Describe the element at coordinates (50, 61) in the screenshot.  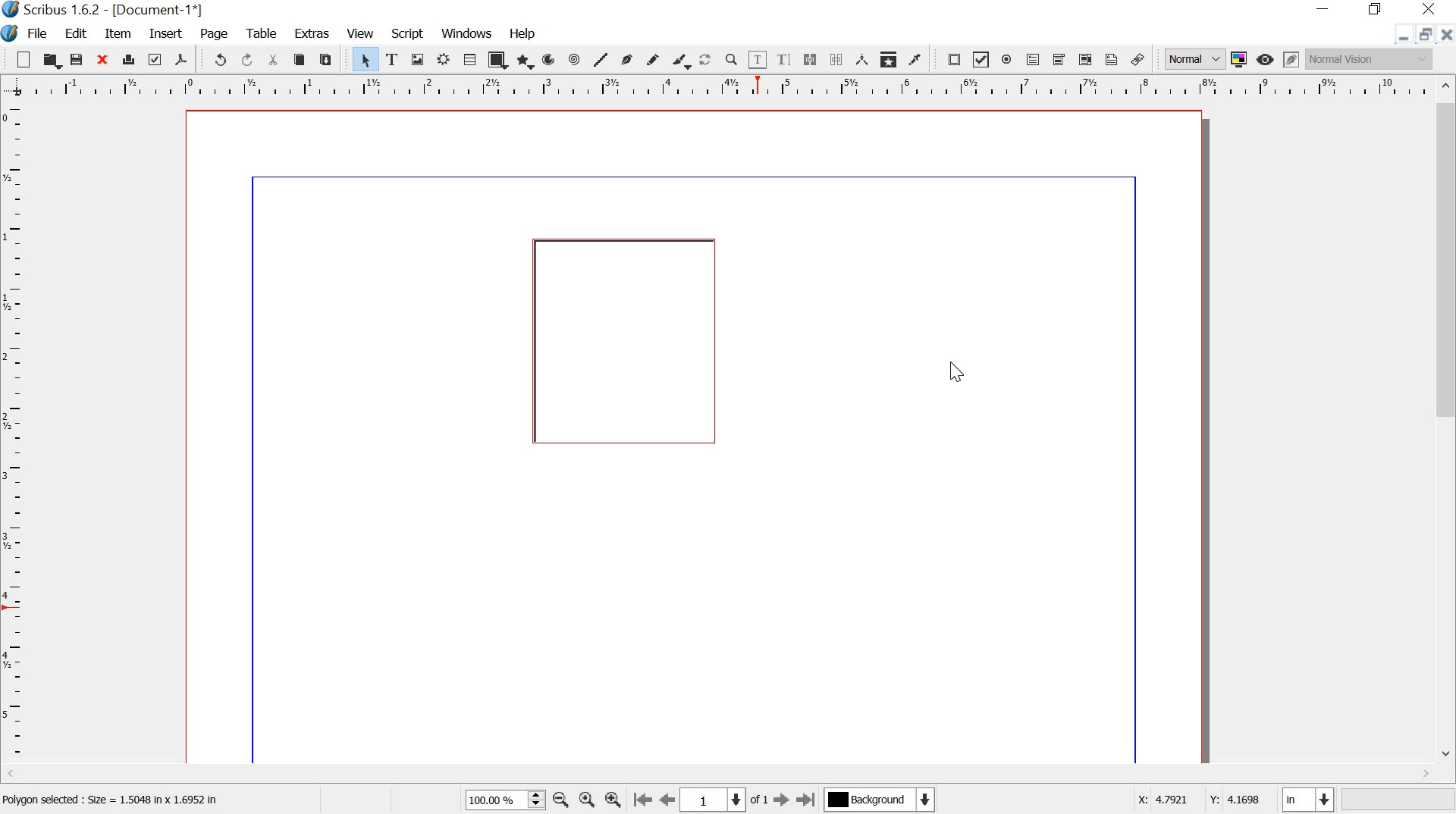
I see `open` at that location.